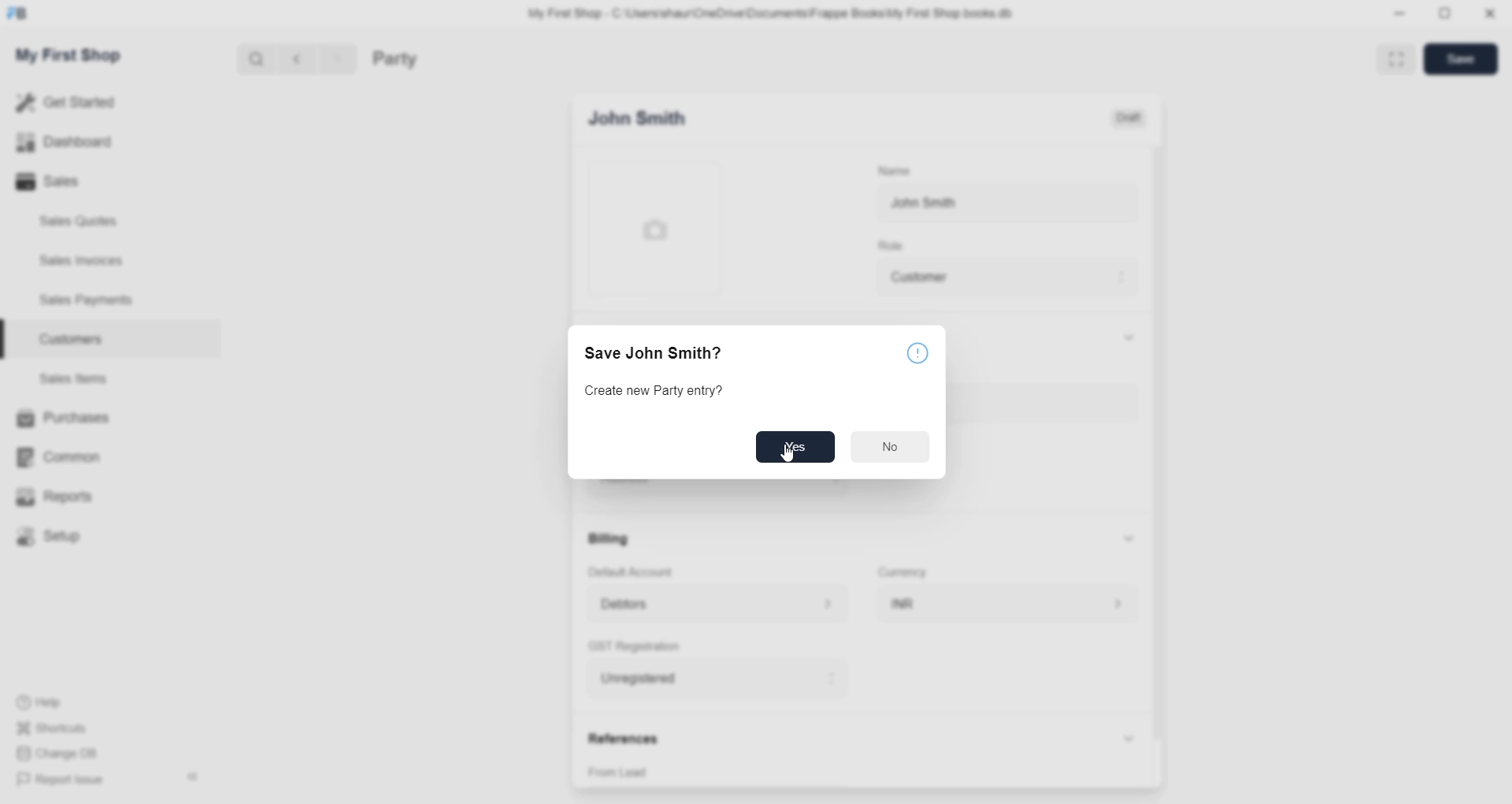 Image resolution: width=1512 pixels, height=804 pixels. What do you see at coordinates (337, 60) in the screenshot?
I see `go forward` at bounding box center [337, 60].